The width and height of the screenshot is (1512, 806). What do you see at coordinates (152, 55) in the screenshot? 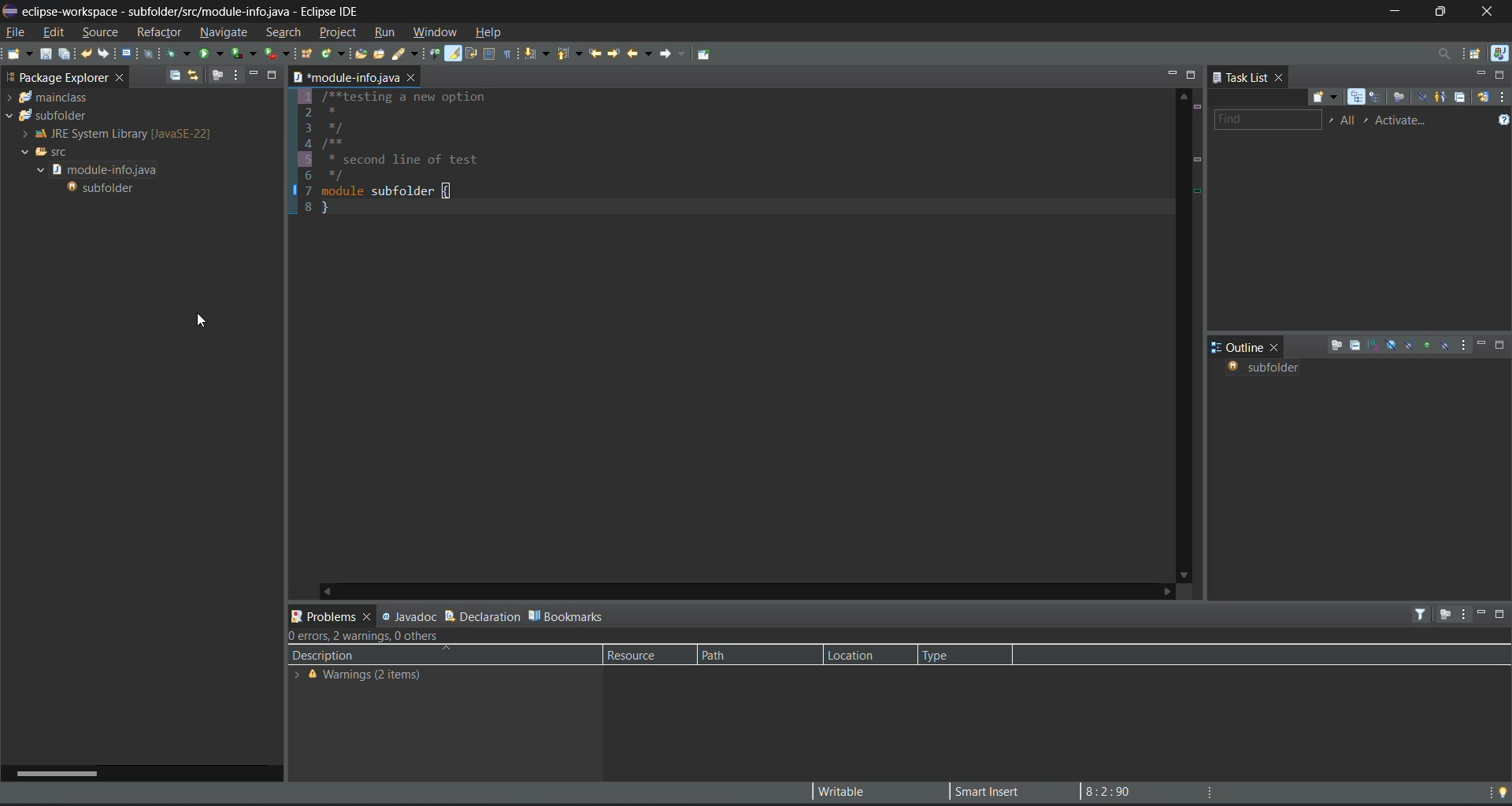
I see `skip all terminals` at bounding box center [152, 55].